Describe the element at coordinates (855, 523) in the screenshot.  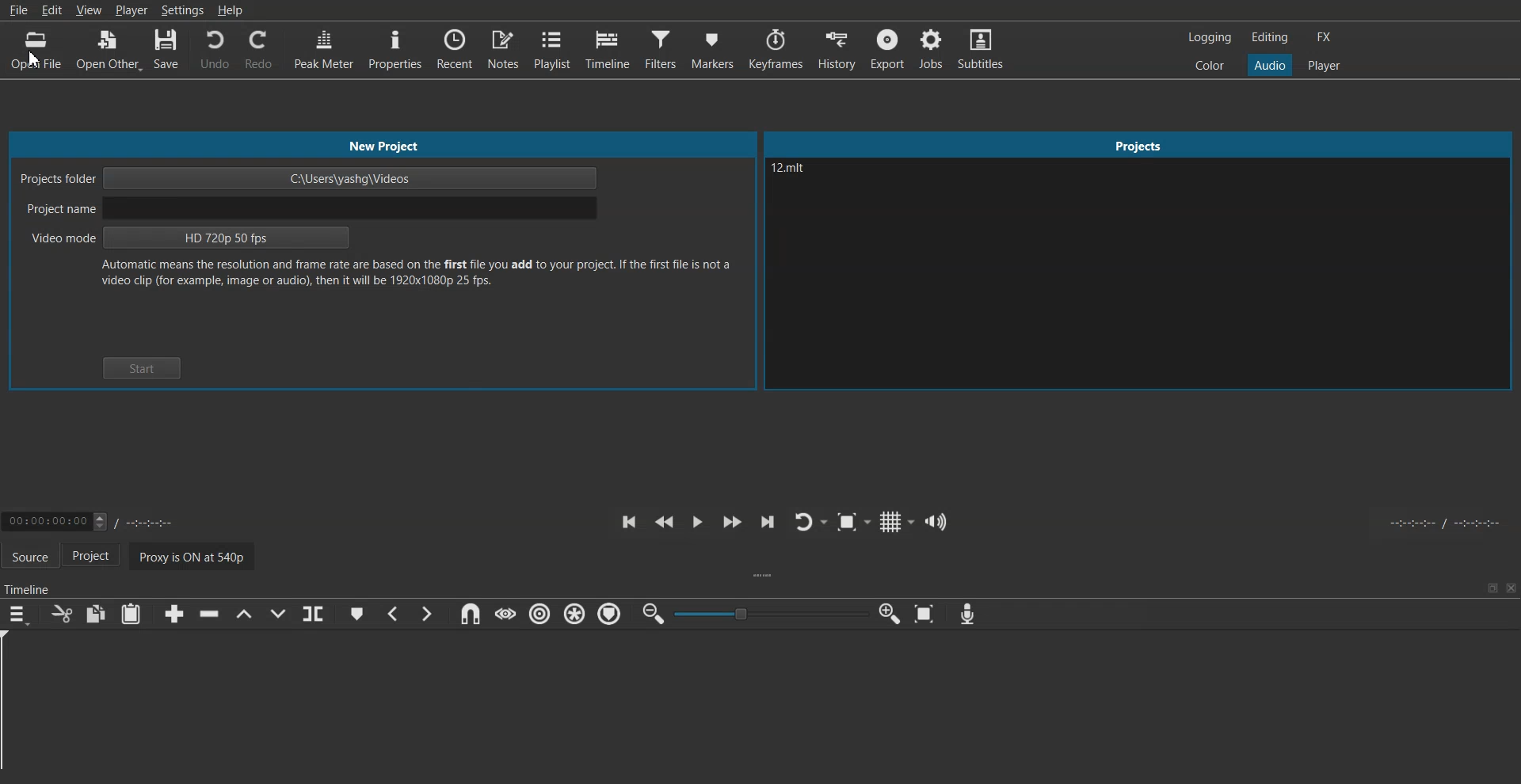
I see `Toggle Zoom` at that location.